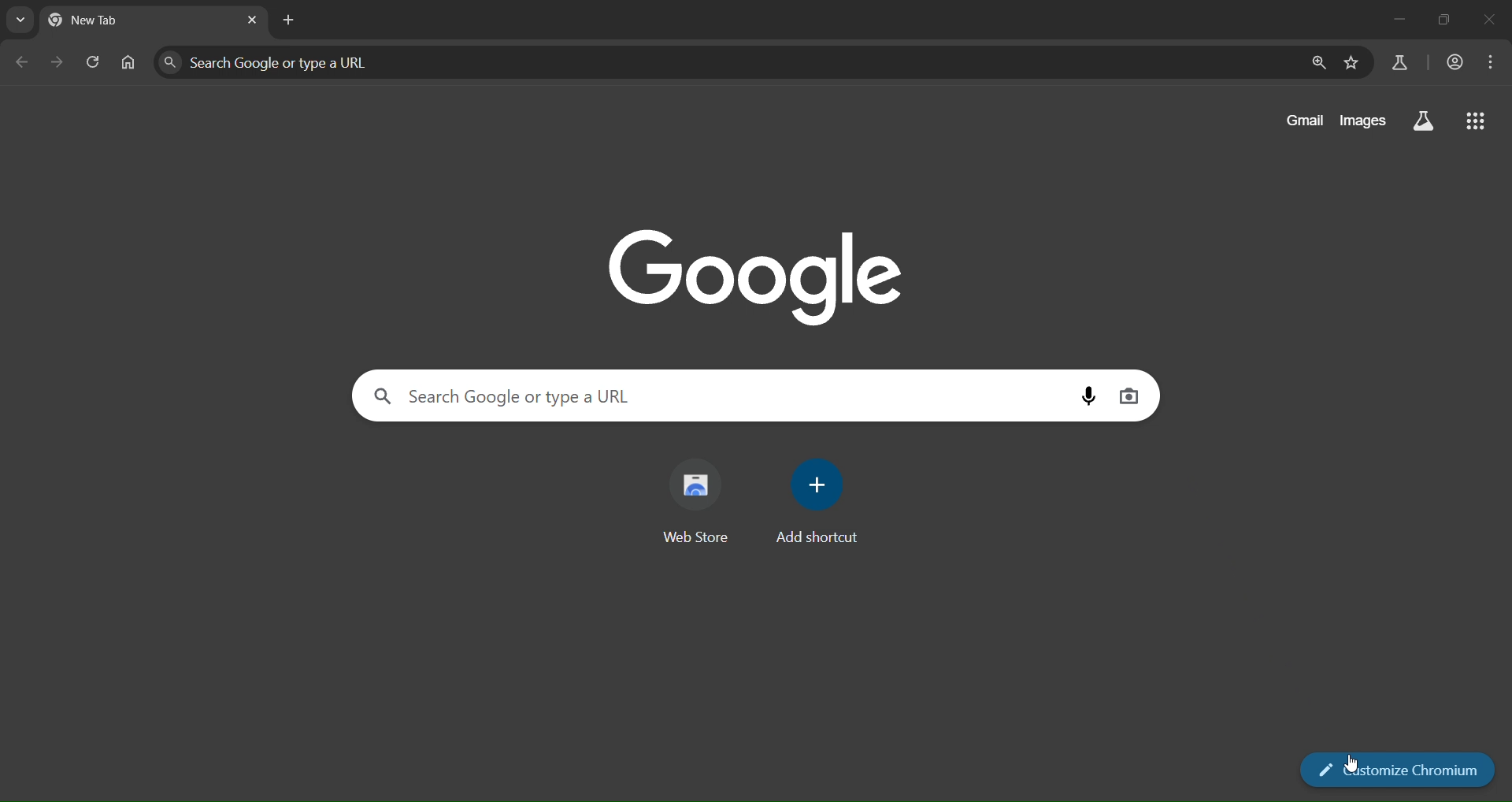  I want to click on google apps, so click(1473, 120).